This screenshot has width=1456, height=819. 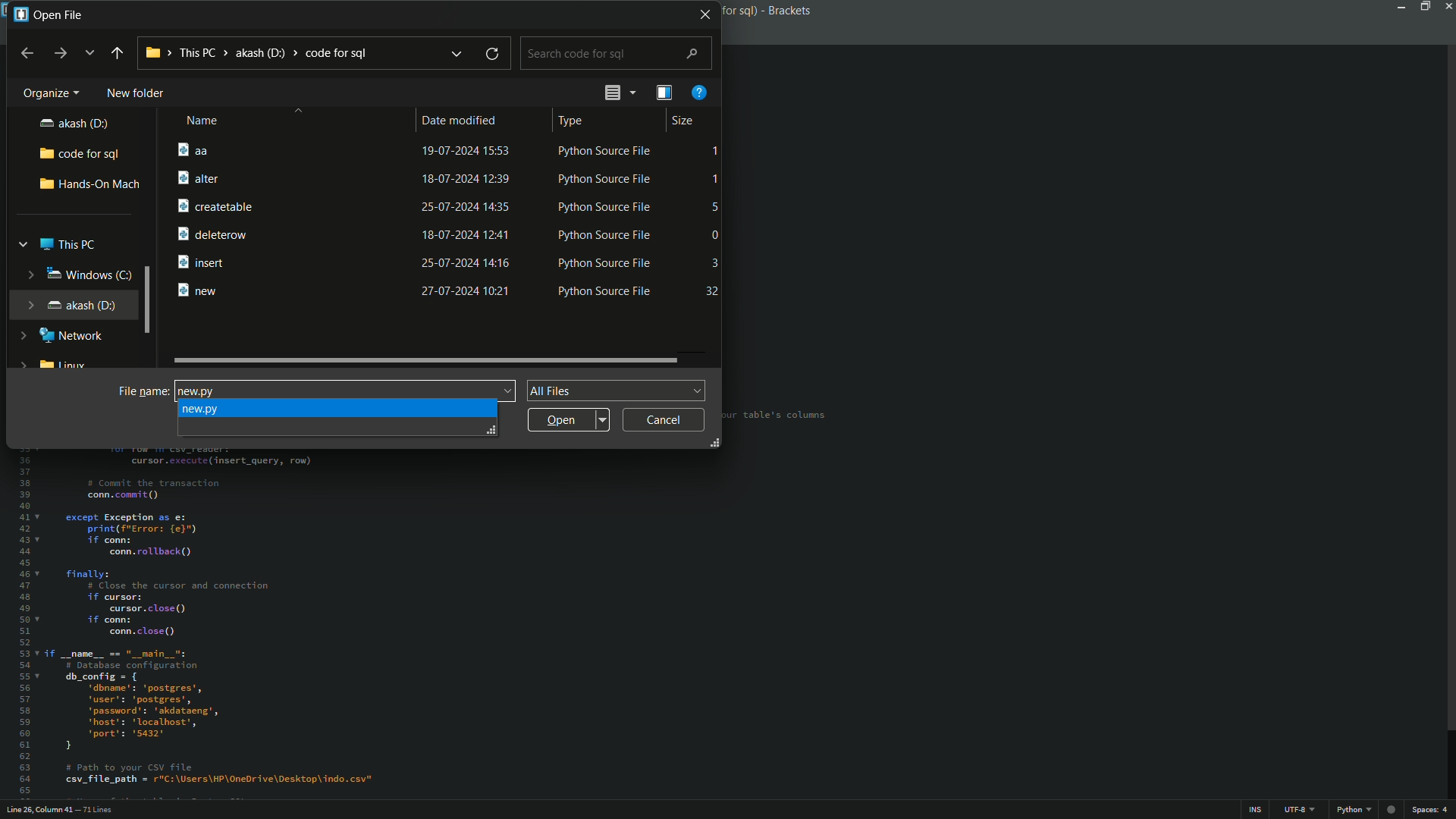 What do you see at coordinates (28, 52) in the screenshot?
I see `back` at bounding box center [28, 52].